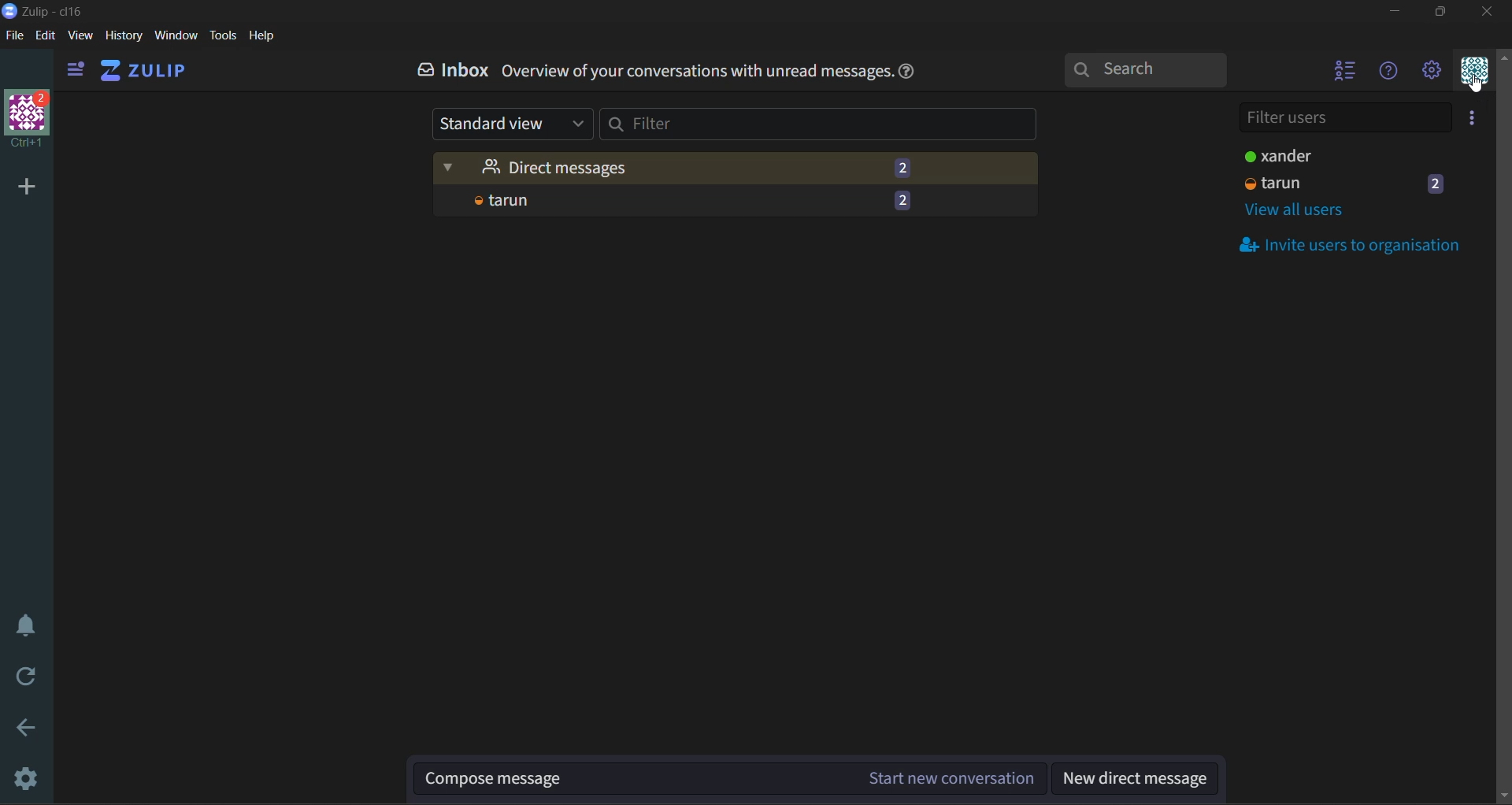 The width and height of the screenshot is (1512, 805). I want to click on hide users list, so click(1340, 75).